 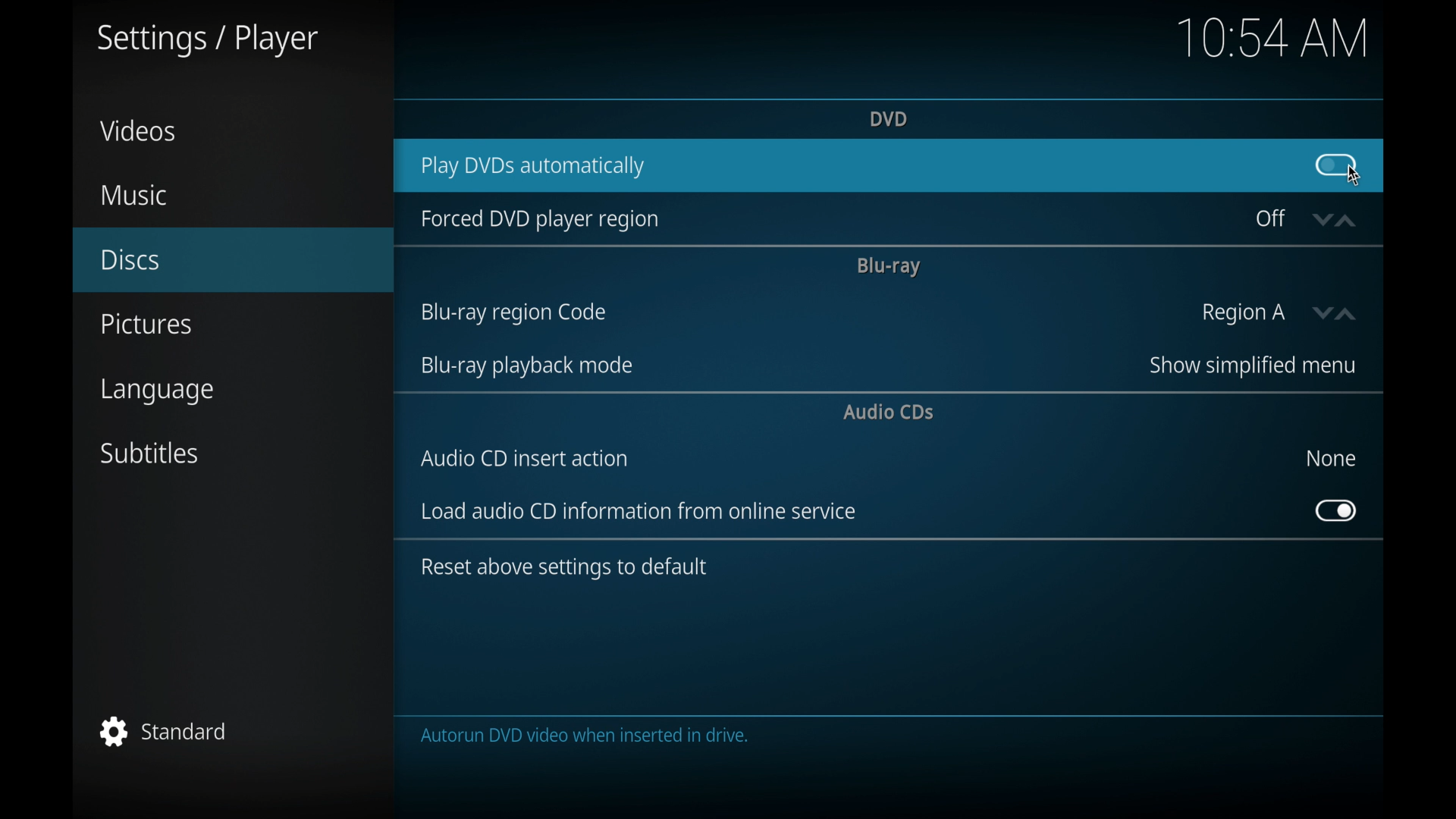 I want to click on subtitles, so click(x=151, y=453).